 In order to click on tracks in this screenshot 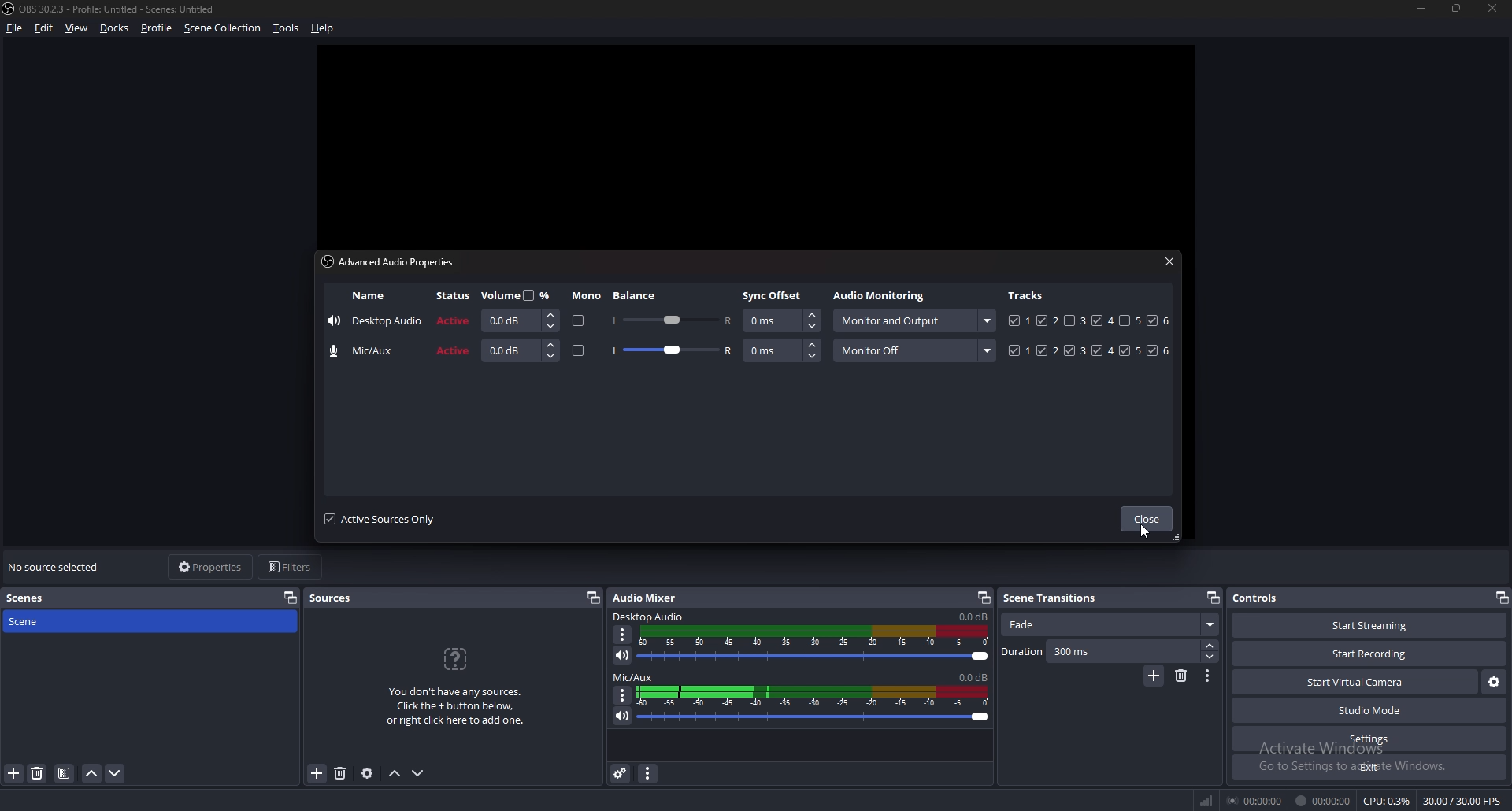, I will do `click(1091, 350)`.